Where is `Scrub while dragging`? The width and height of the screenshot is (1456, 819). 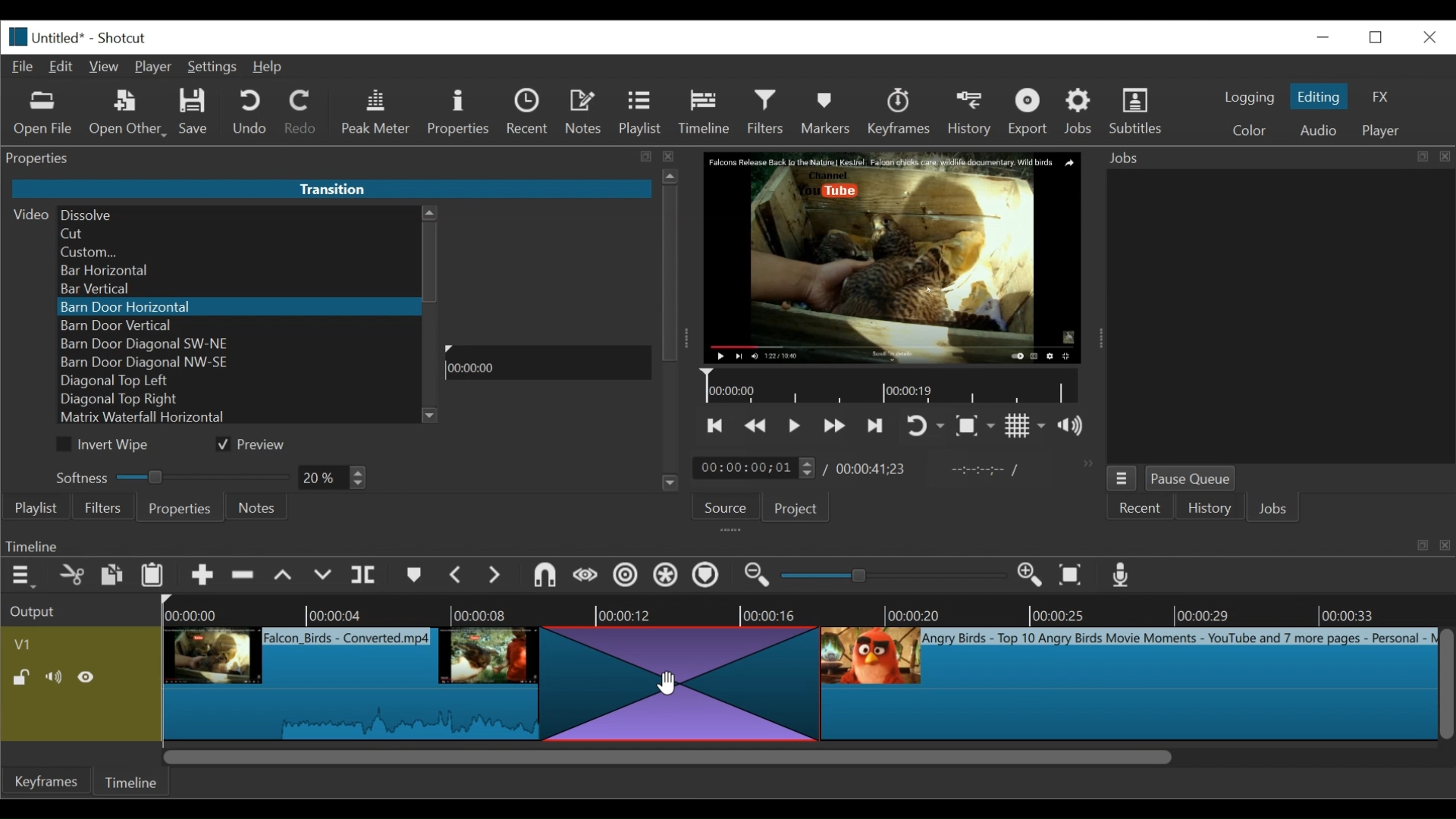
Scrub while dragging is located at coordinates (585, 574).